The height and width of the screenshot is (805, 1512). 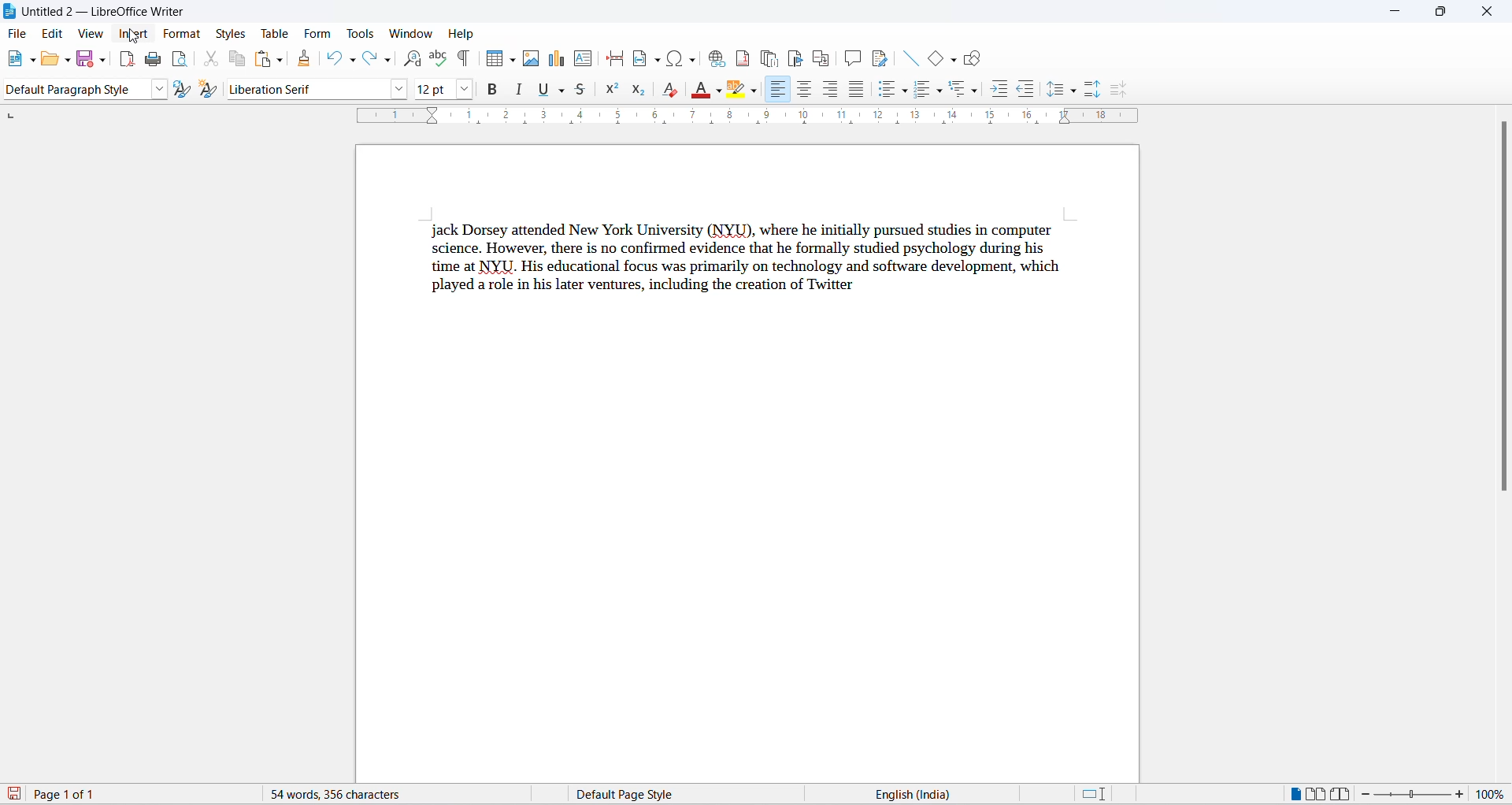 I want to click on line spacing options, so click(x=1077, y=92).